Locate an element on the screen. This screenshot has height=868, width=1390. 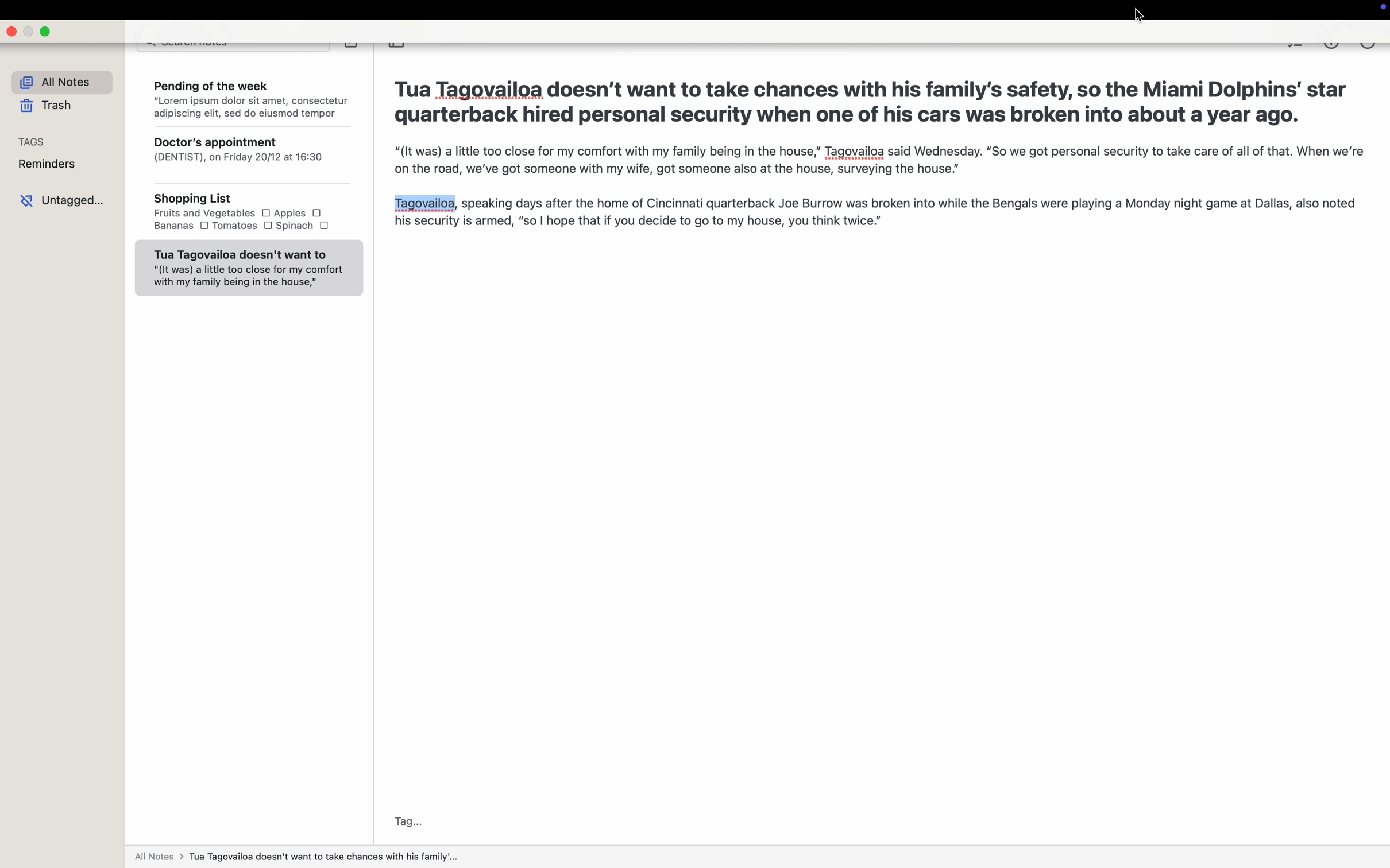
tags is located at coordinates (33, 141).